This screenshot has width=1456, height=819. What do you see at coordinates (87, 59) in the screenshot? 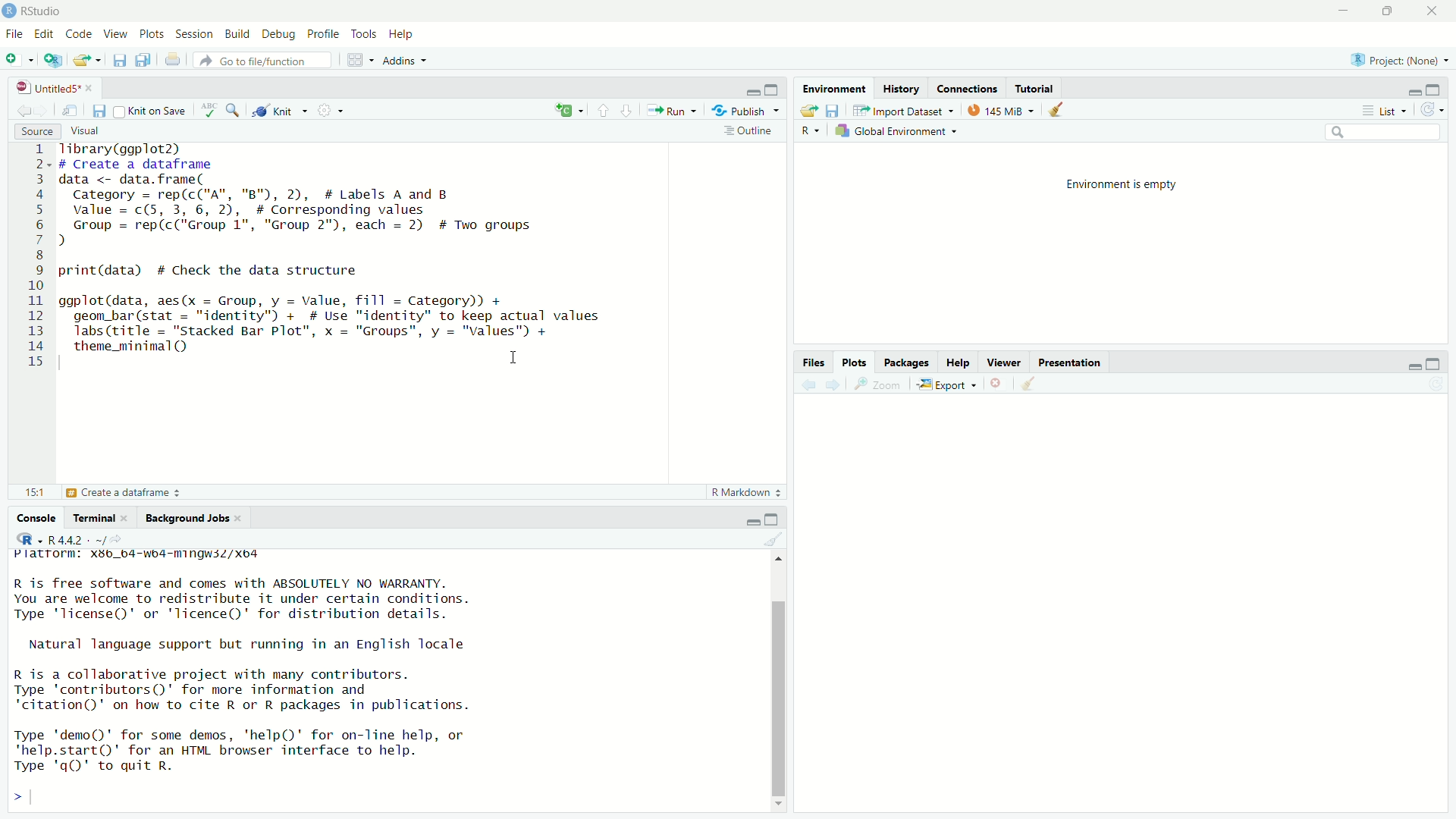
I see `Open an existing file (Ctrl + O)` at bounding box center [87, 59].